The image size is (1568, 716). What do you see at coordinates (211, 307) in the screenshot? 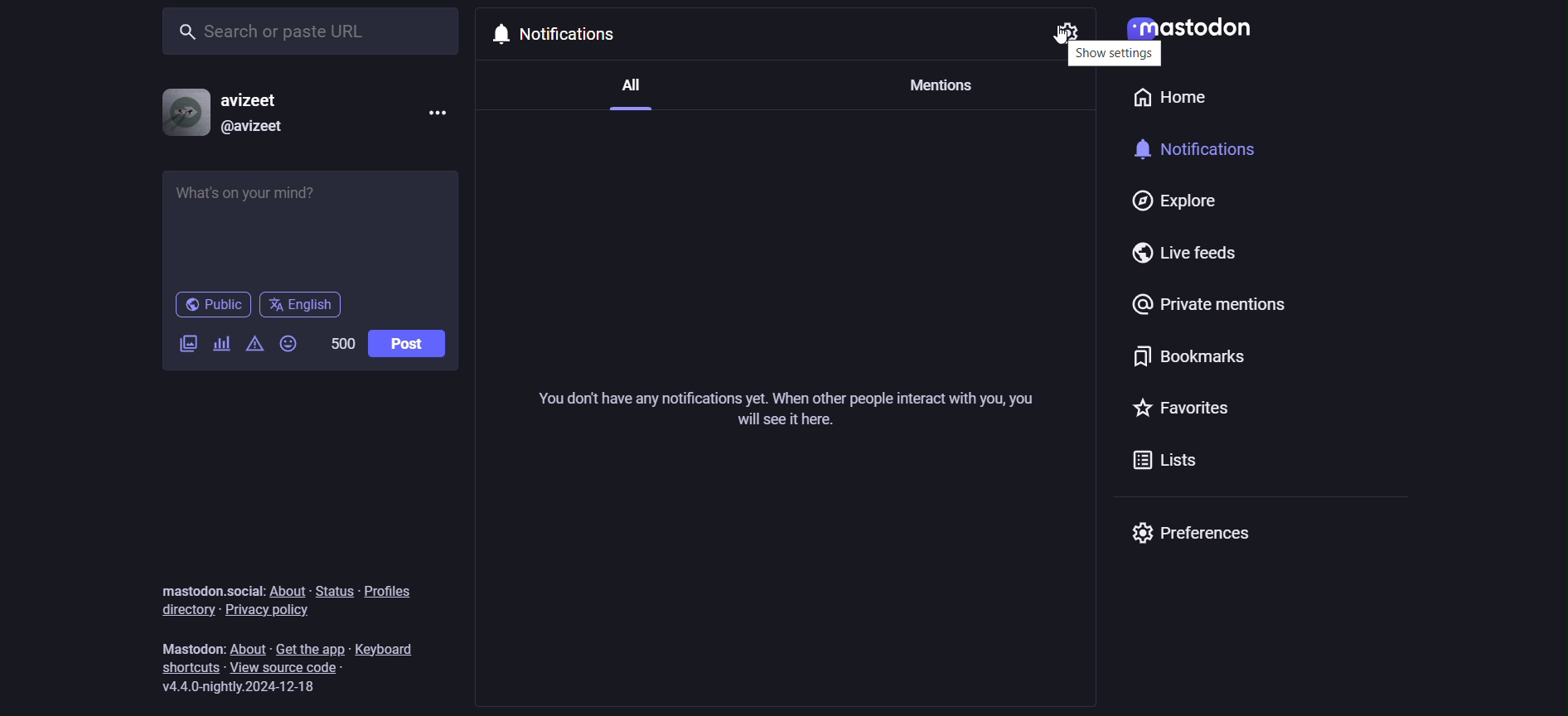
I see `public` at bounding box center [211, 307].